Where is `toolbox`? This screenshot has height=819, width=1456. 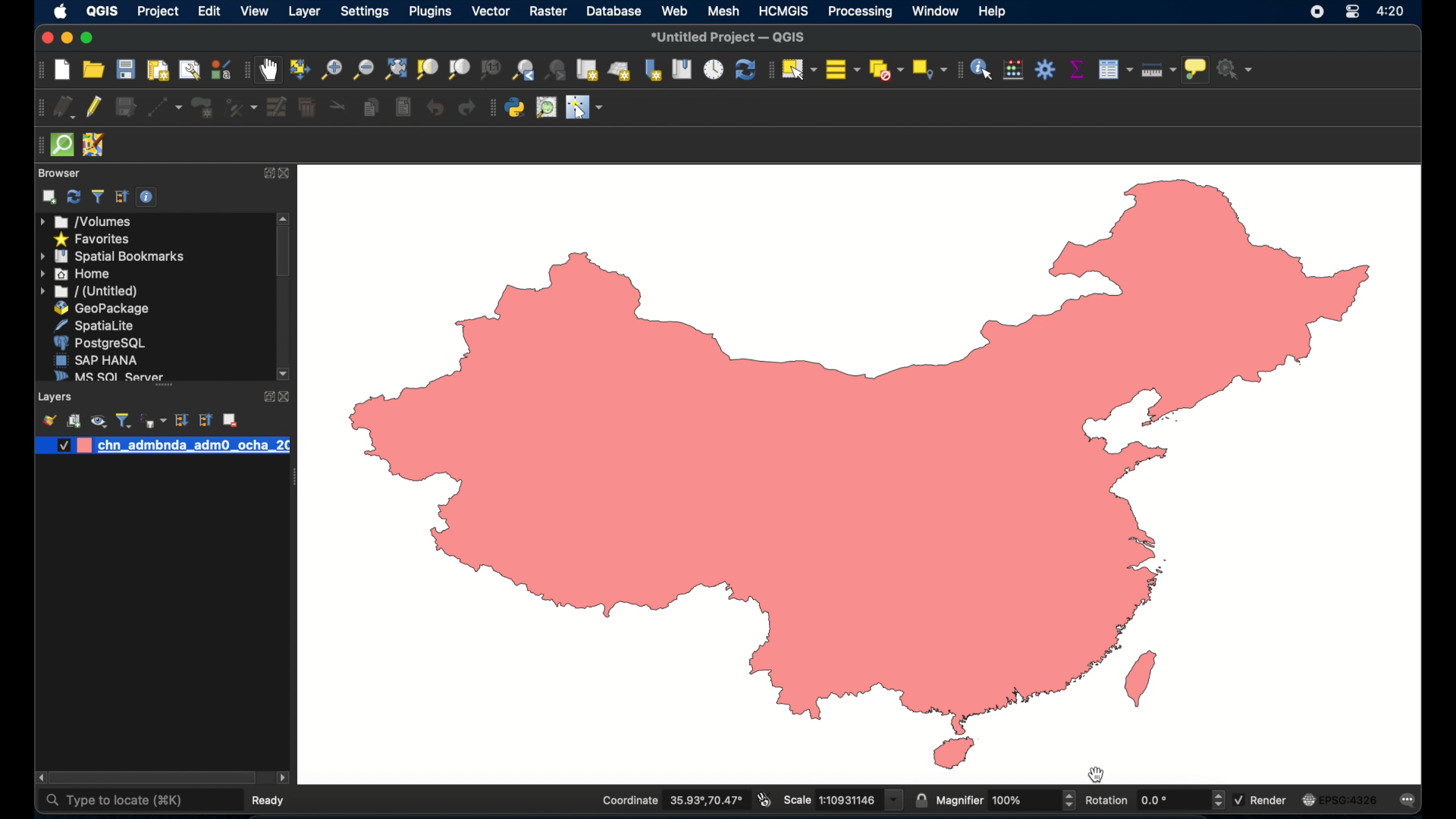
toolbox is located at coordinates (1046, 71).